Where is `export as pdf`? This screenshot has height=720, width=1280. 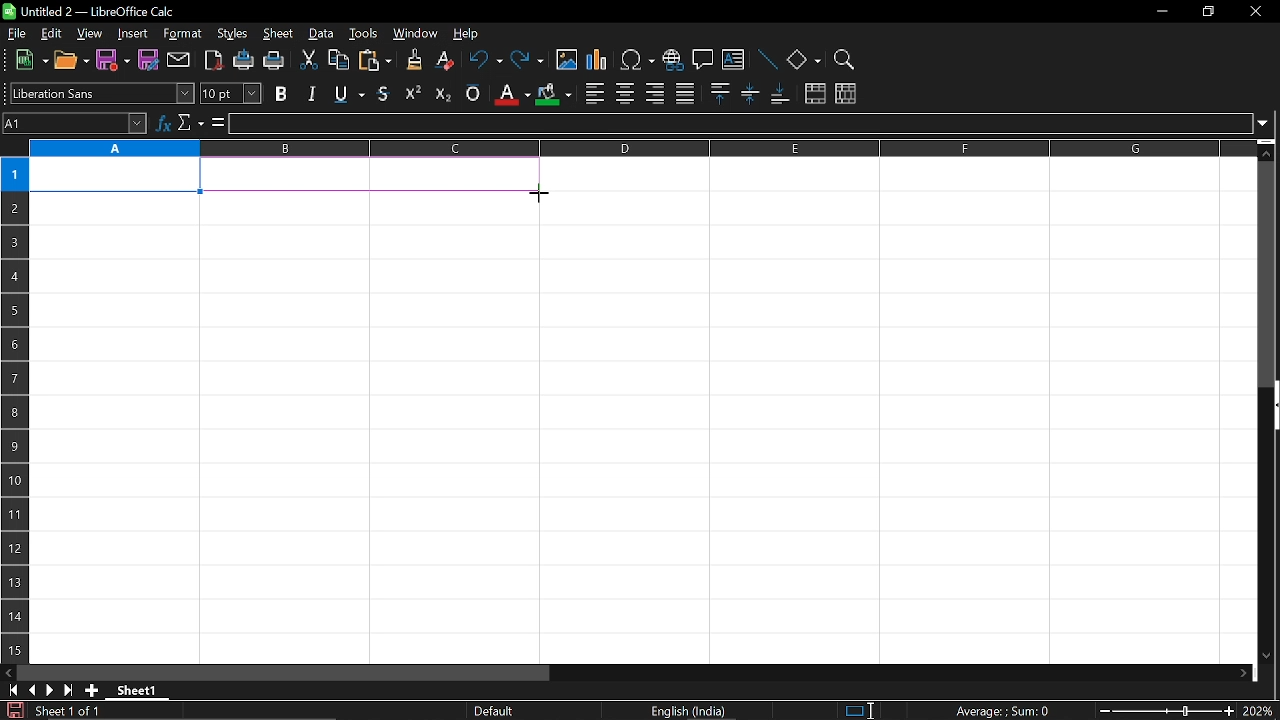 export as pdf is located at coordinates (210, 60).